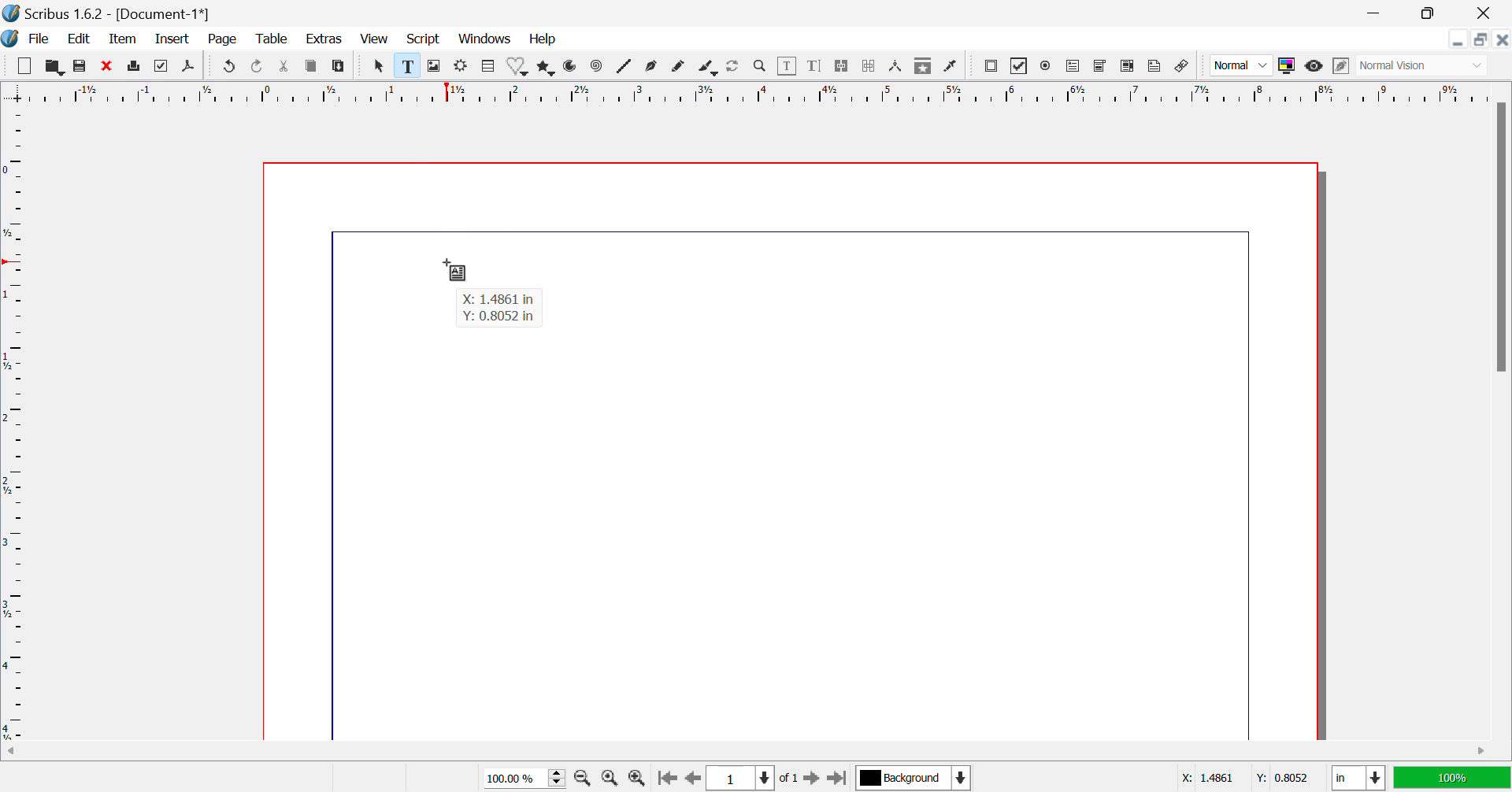 The height and width of the screenshot is (792, 1512). I want to click on Toggle Color Display, so click(1289, 67).